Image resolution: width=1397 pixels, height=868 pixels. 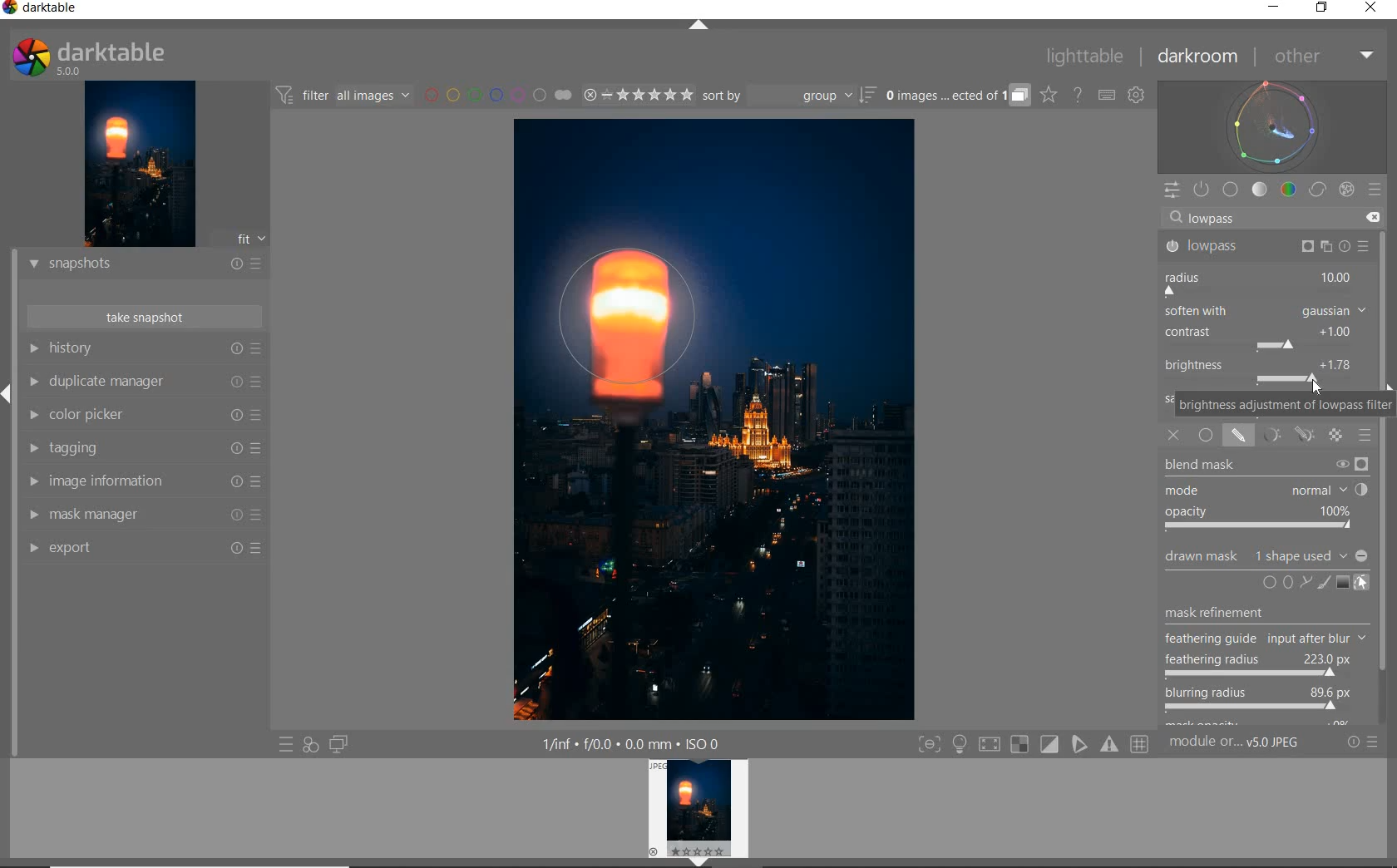 What do you see at coordinates (1263, 339) in the screenshot?
I see `CONTRAST` at bounding box center [1263, 339].